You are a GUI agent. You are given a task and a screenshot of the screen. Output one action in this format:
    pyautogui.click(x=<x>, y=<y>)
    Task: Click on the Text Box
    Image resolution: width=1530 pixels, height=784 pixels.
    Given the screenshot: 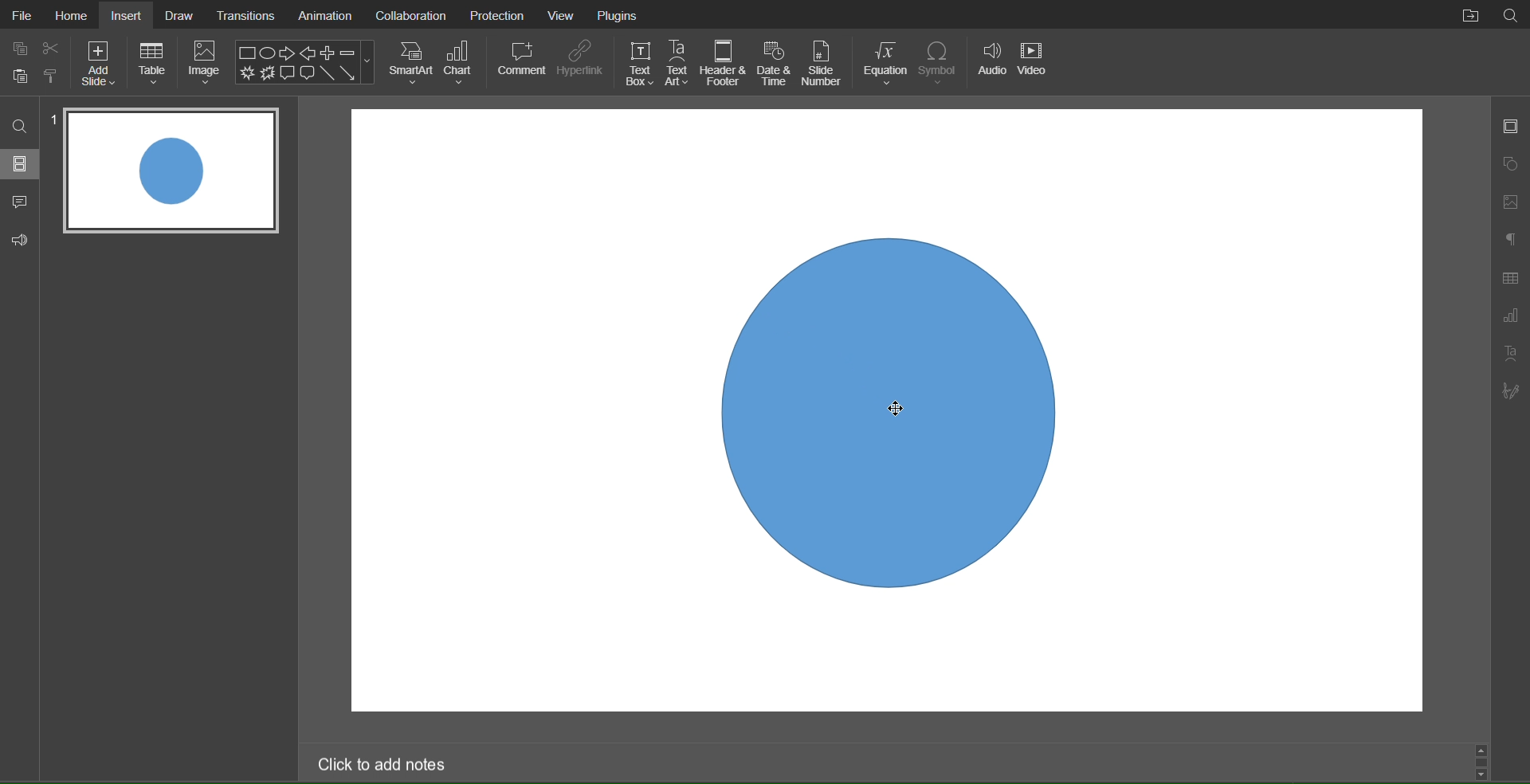 What is the action you would take?
    pyautogui.click(x=639, y=62)
    